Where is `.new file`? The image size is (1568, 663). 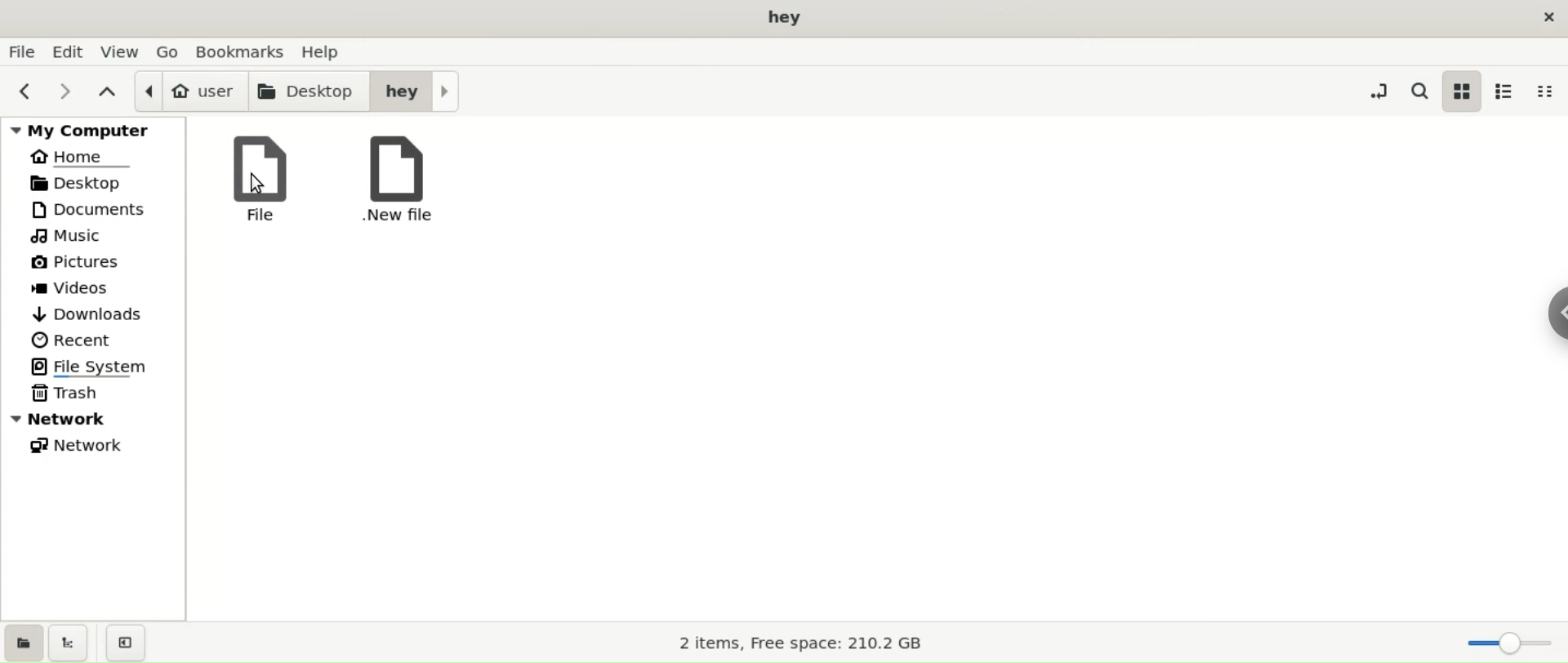 .new file is located at coordinates (417, 180).